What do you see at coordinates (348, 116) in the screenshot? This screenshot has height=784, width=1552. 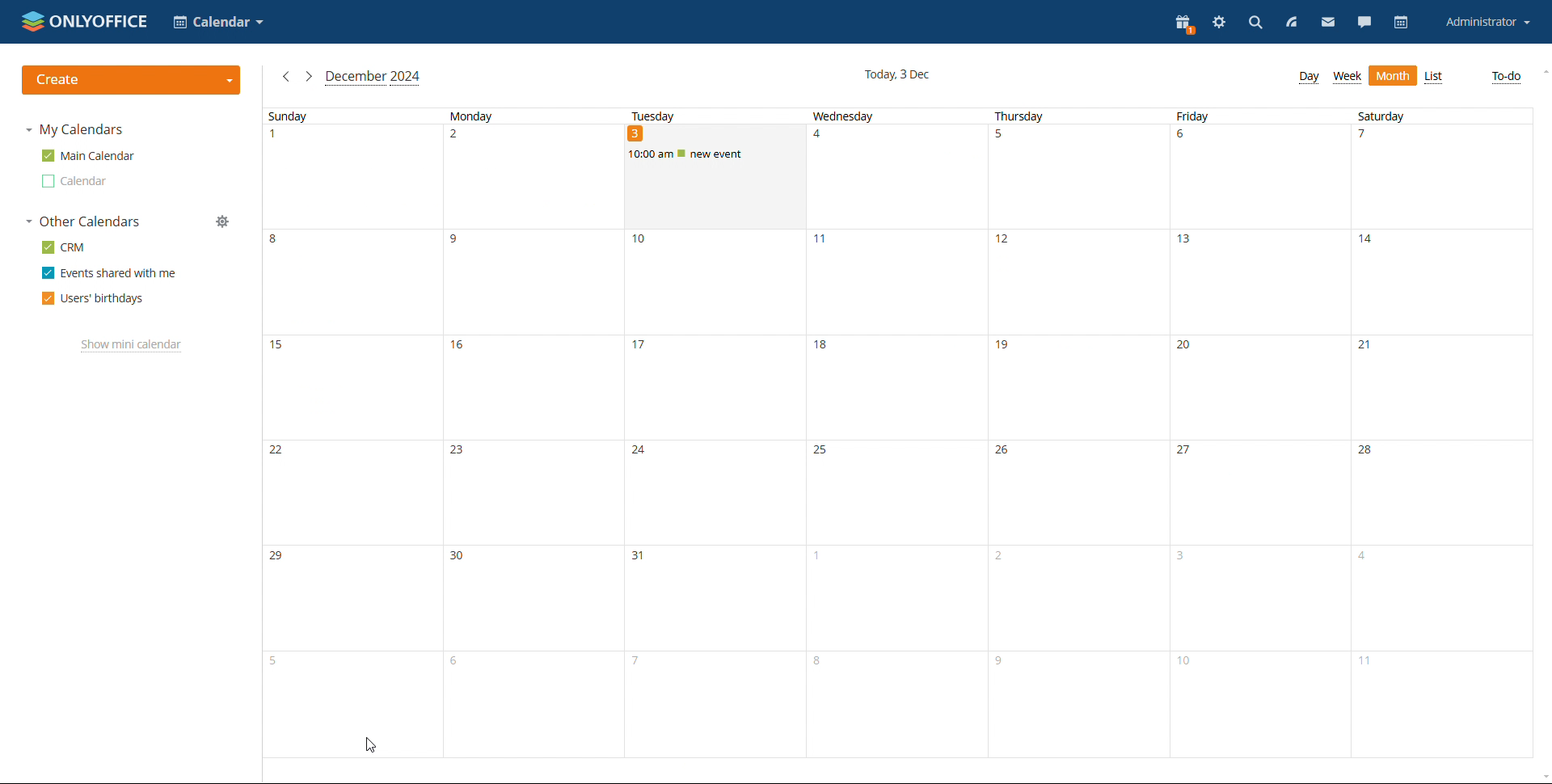 I see `Sunday` at bounding box center [348, 116].